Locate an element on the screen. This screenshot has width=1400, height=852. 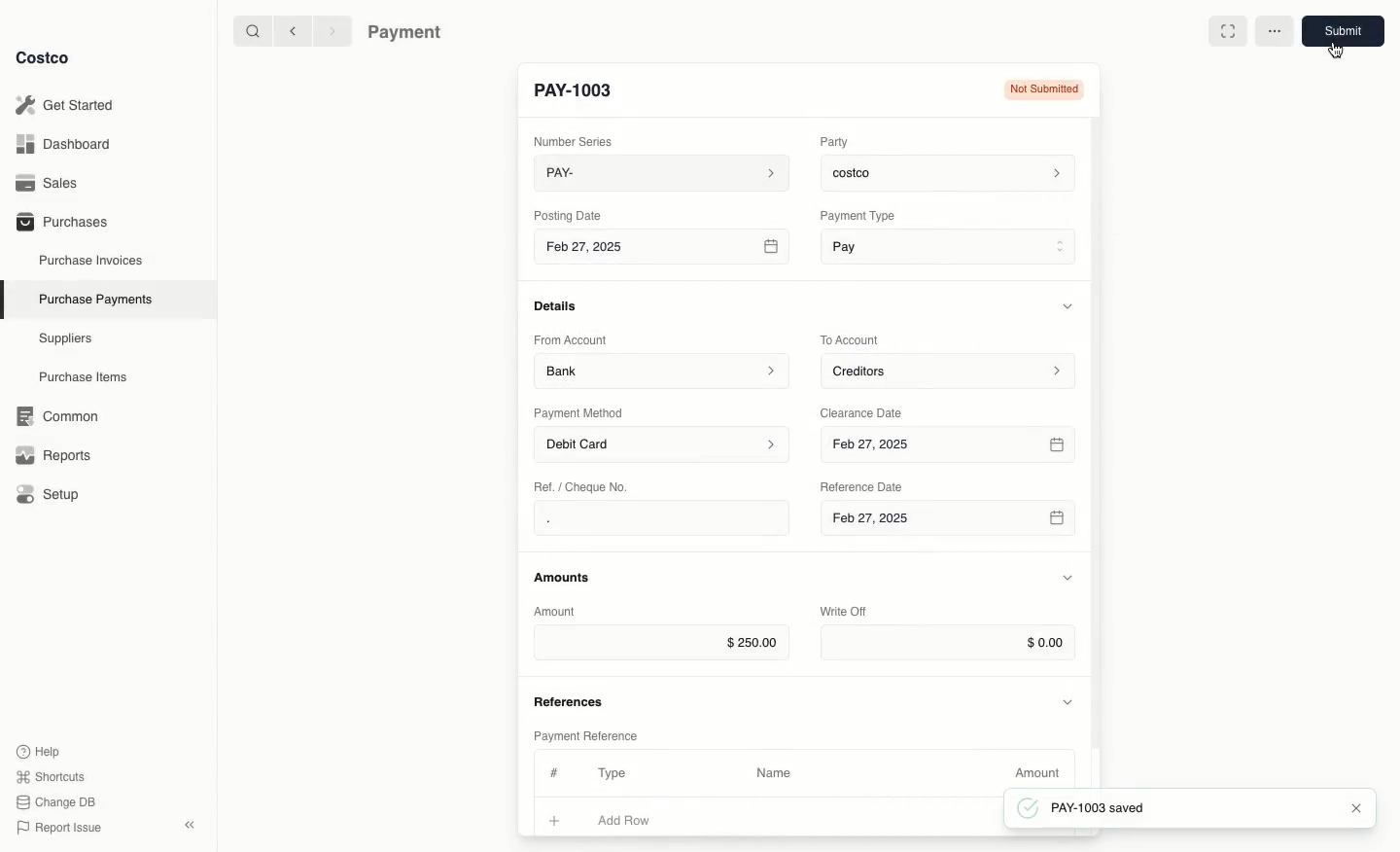
$0.00 is located at coordinates (948, 643).